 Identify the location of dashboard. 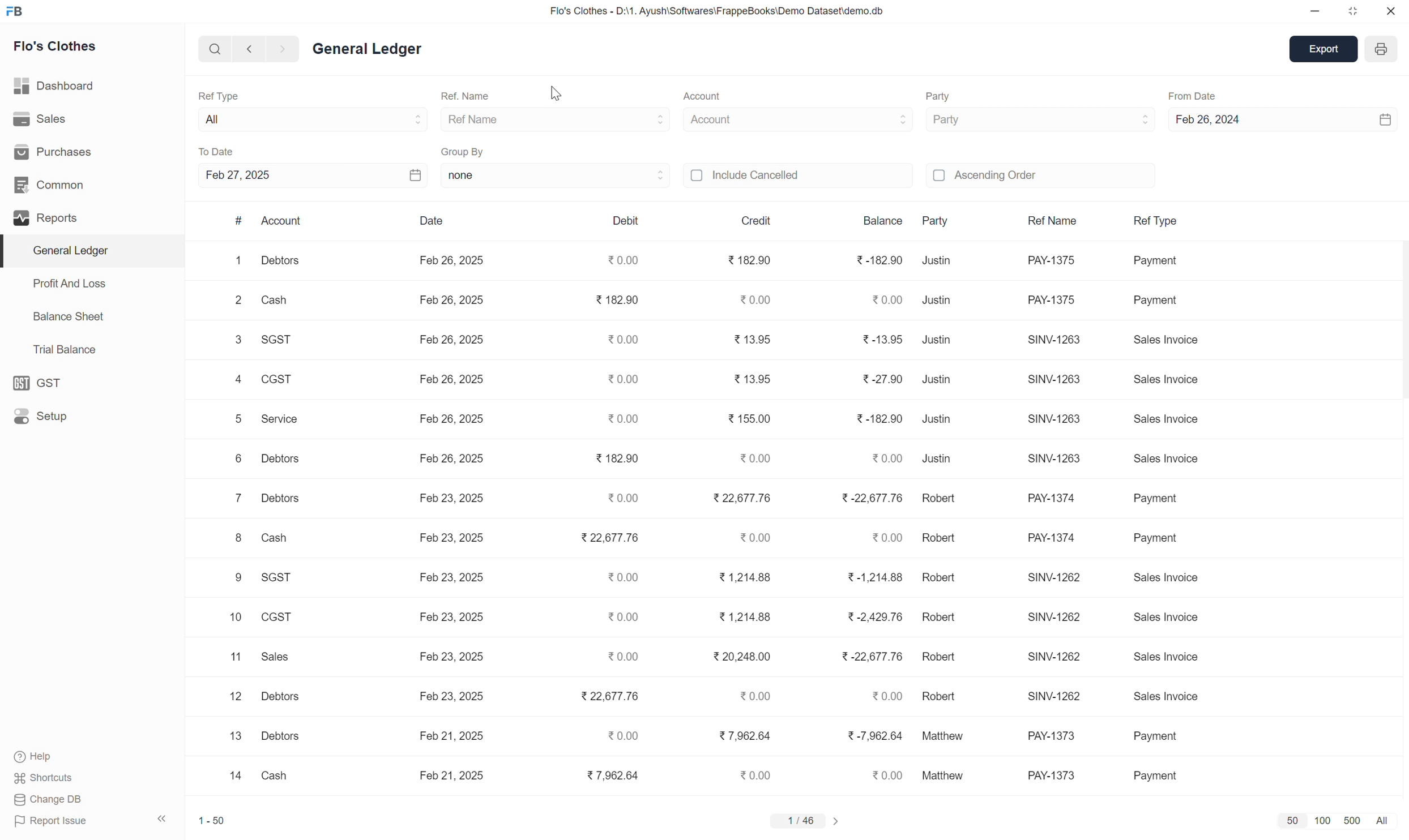
(55, 86).